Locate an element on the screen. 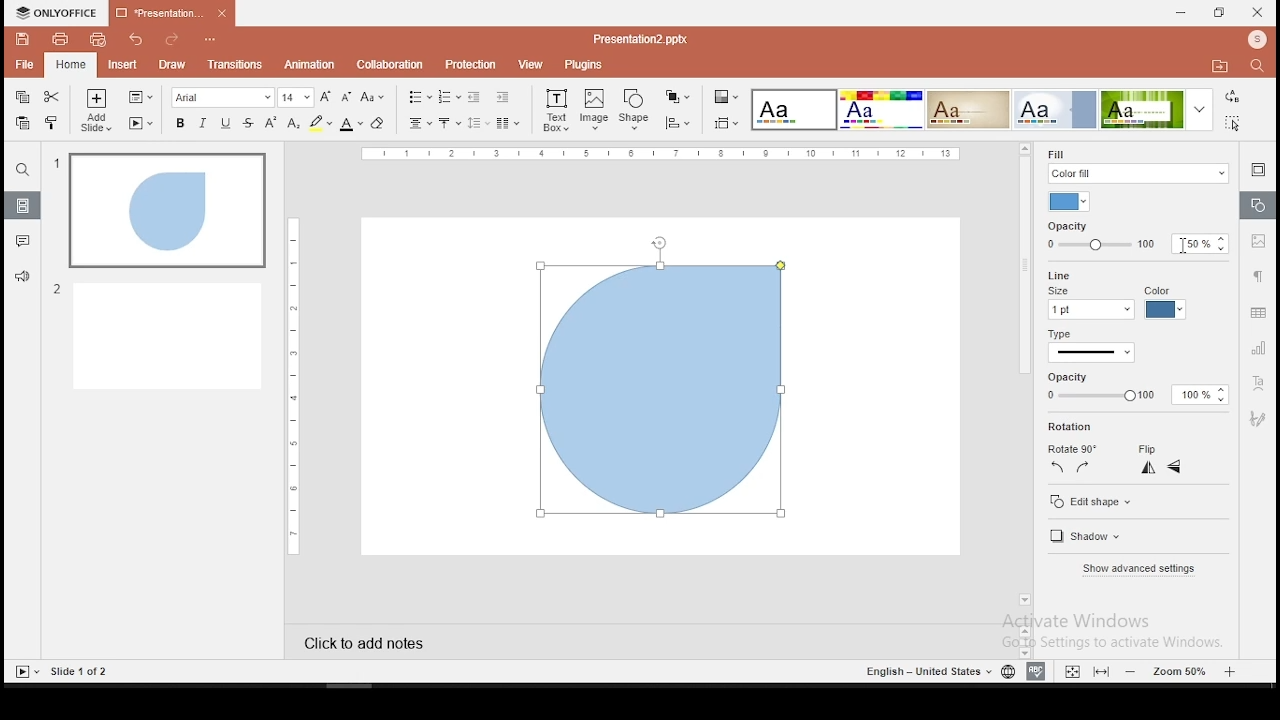 This screenshot has width=1280, height=720. english - united states is located at coordinates (925, 674).